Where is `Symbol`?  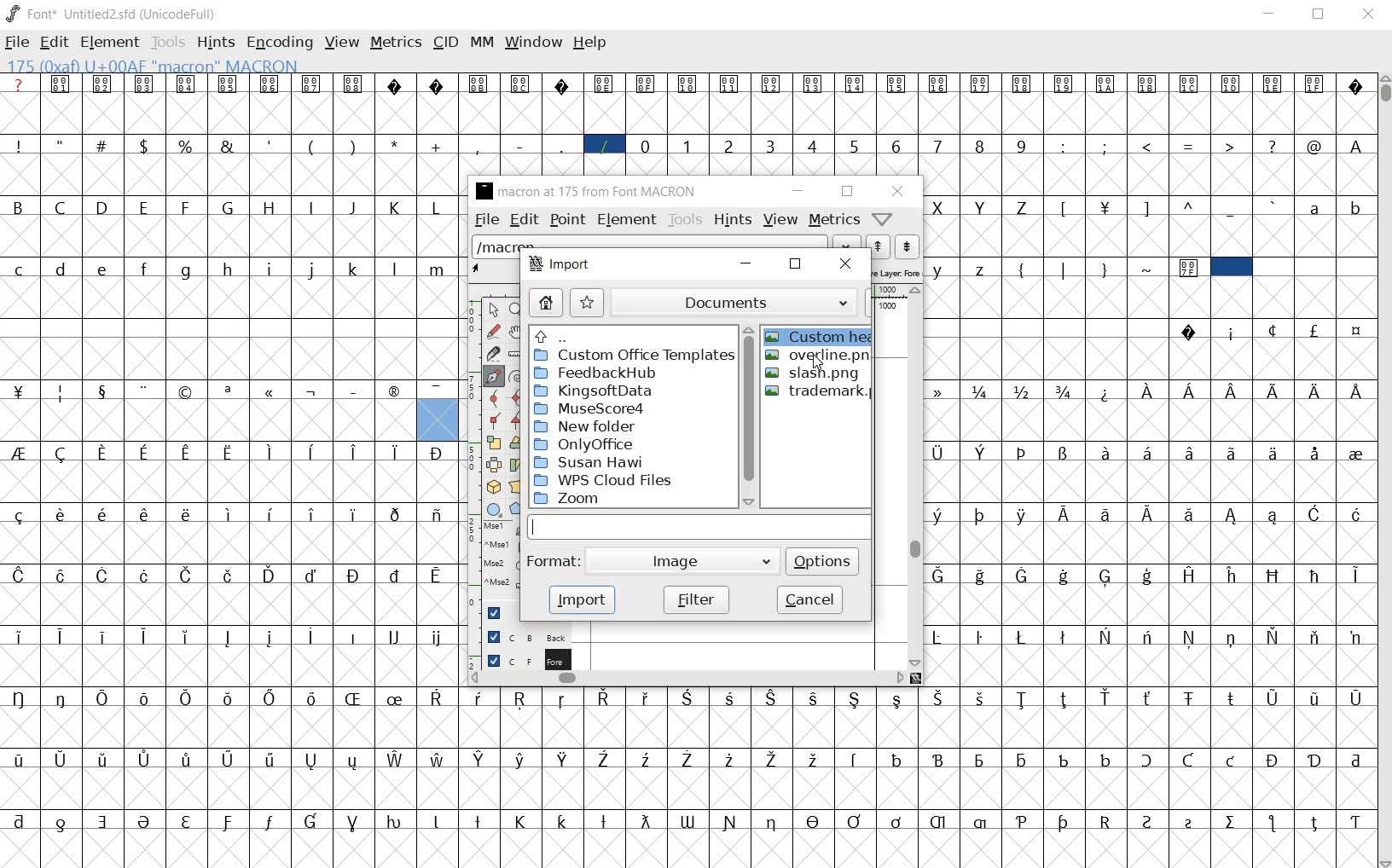
Symbol is located at coordinates (357, 697).